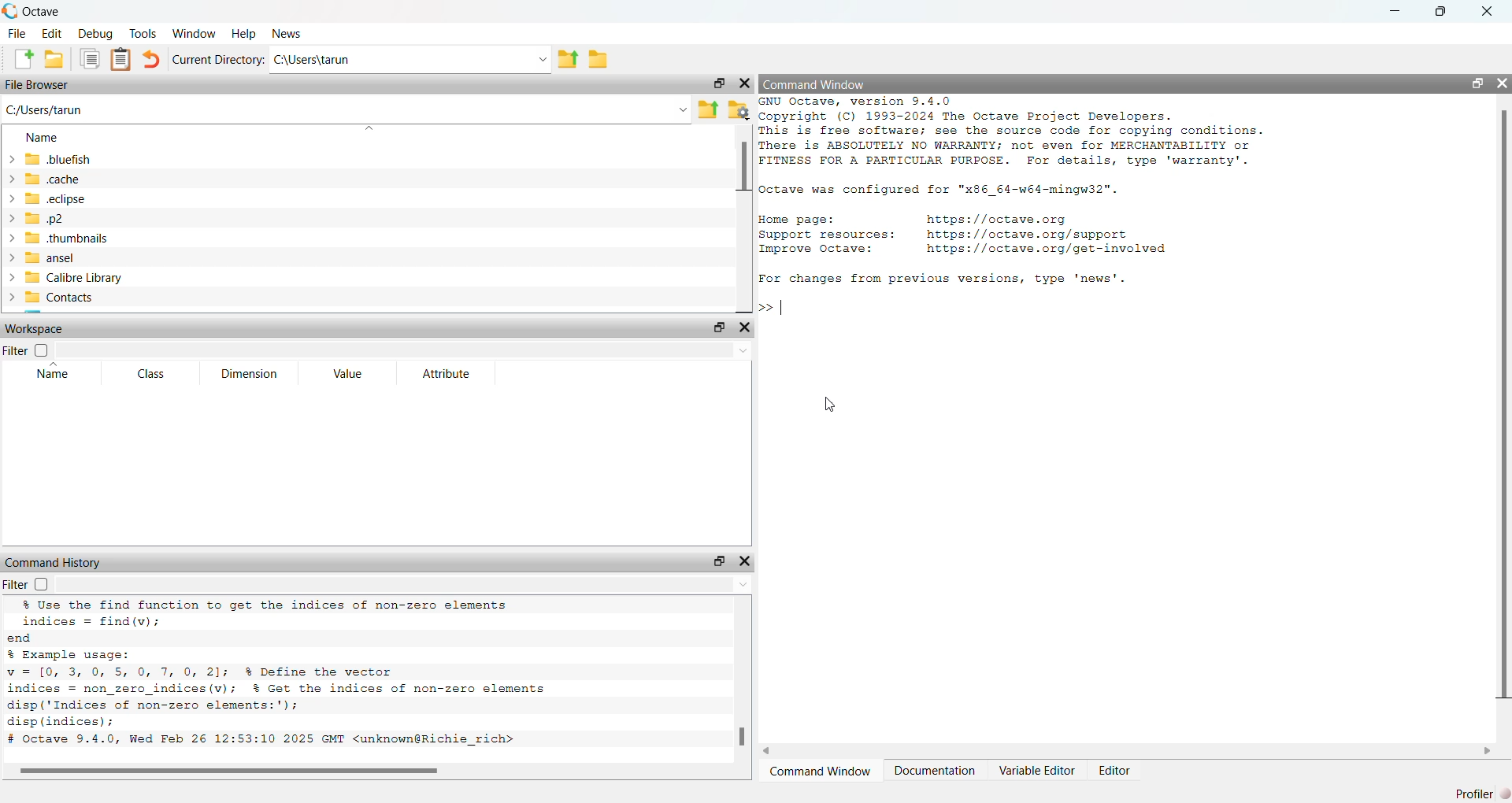  Describe the element at coordinates (16, 585) in the screenshot. I see `Filter` at that location.